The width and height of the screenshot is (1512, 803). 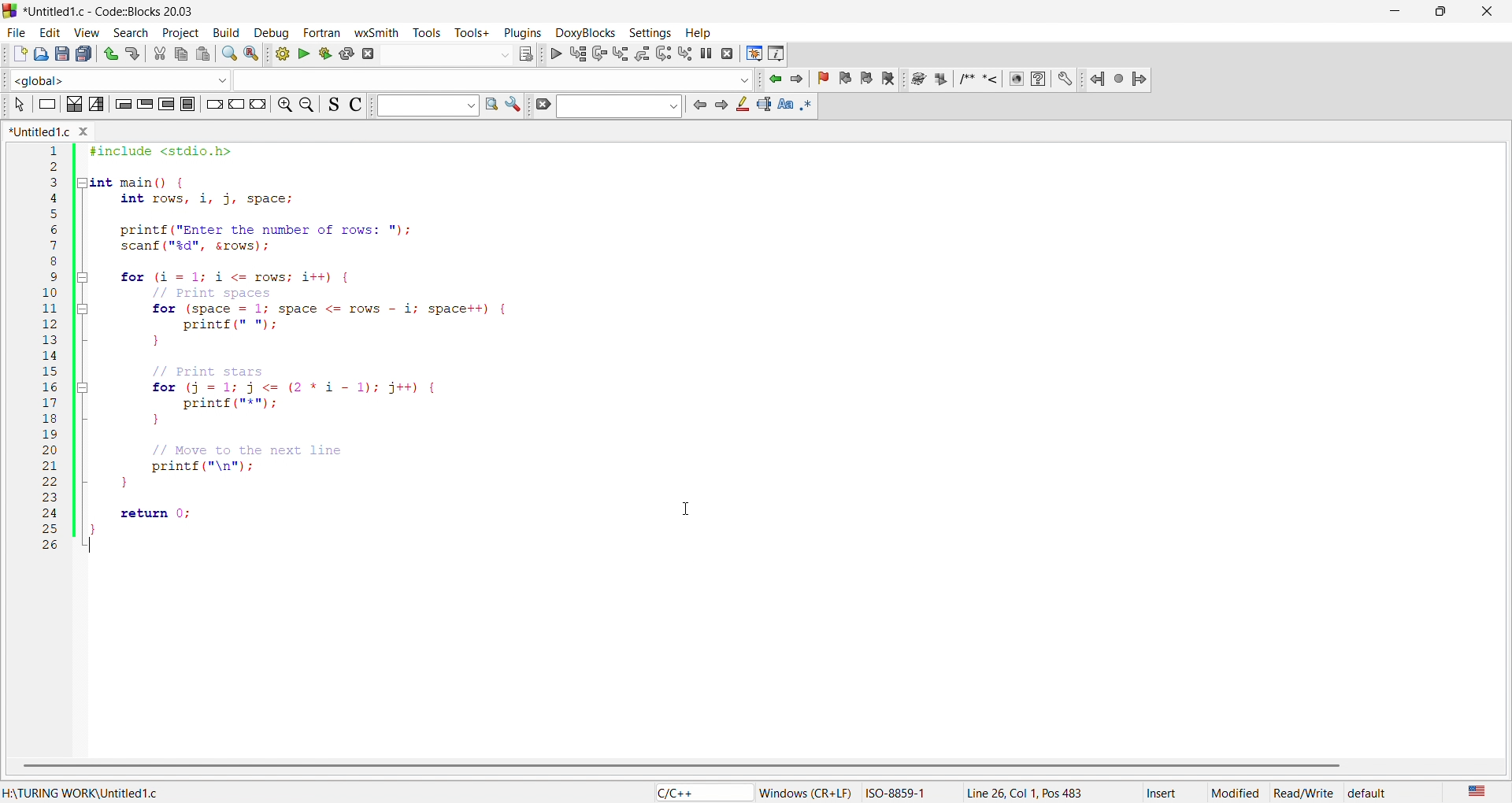 What do you see at coordinates (56, 352) in the screenshot?
I see `line number` at bounding box center [56, 352].